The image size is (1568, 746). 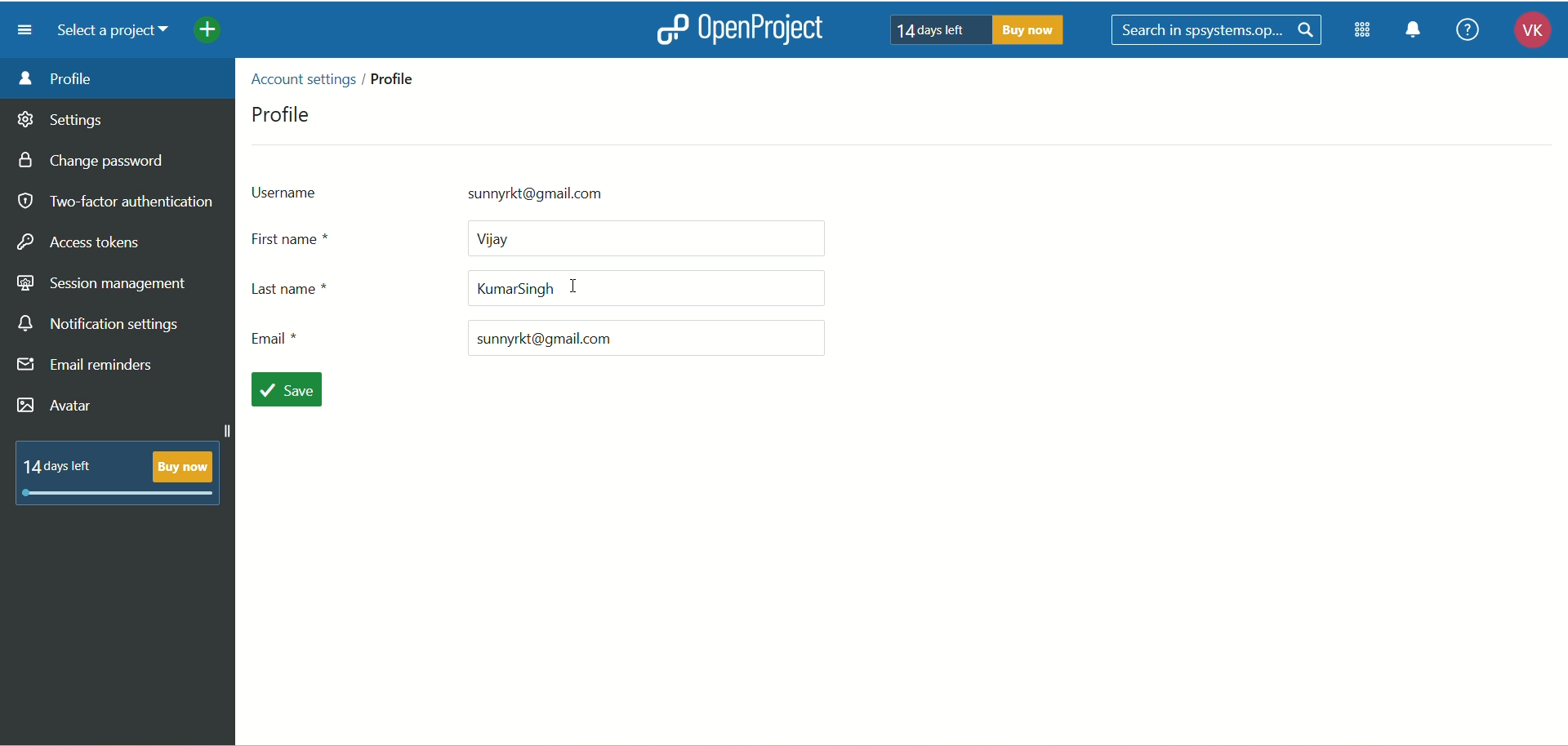 I want to click on text, so click(x=979, y=30).